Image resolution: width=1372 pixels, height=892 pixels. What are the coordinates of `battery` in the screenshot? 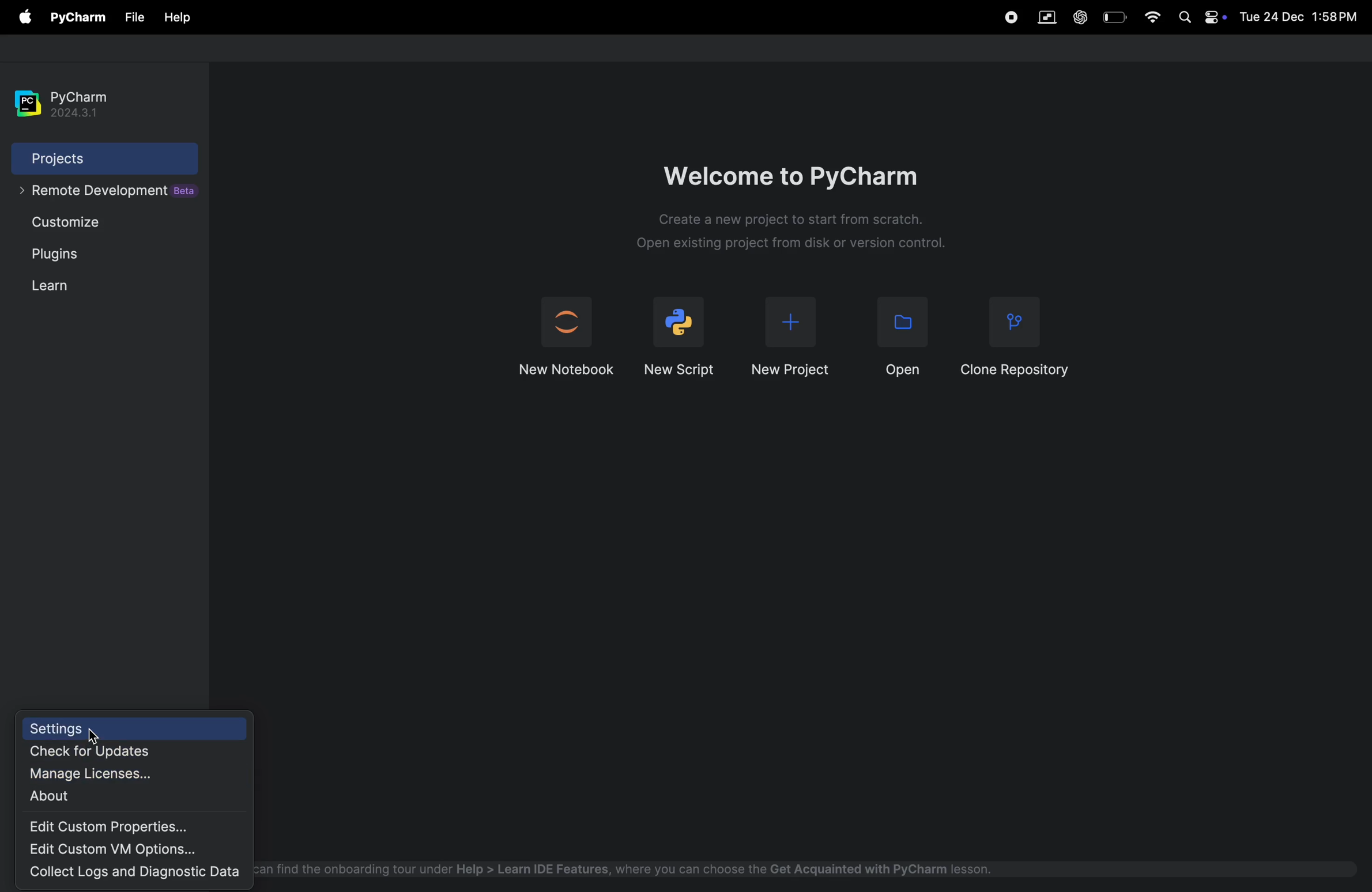 It's located at (1114, 17).